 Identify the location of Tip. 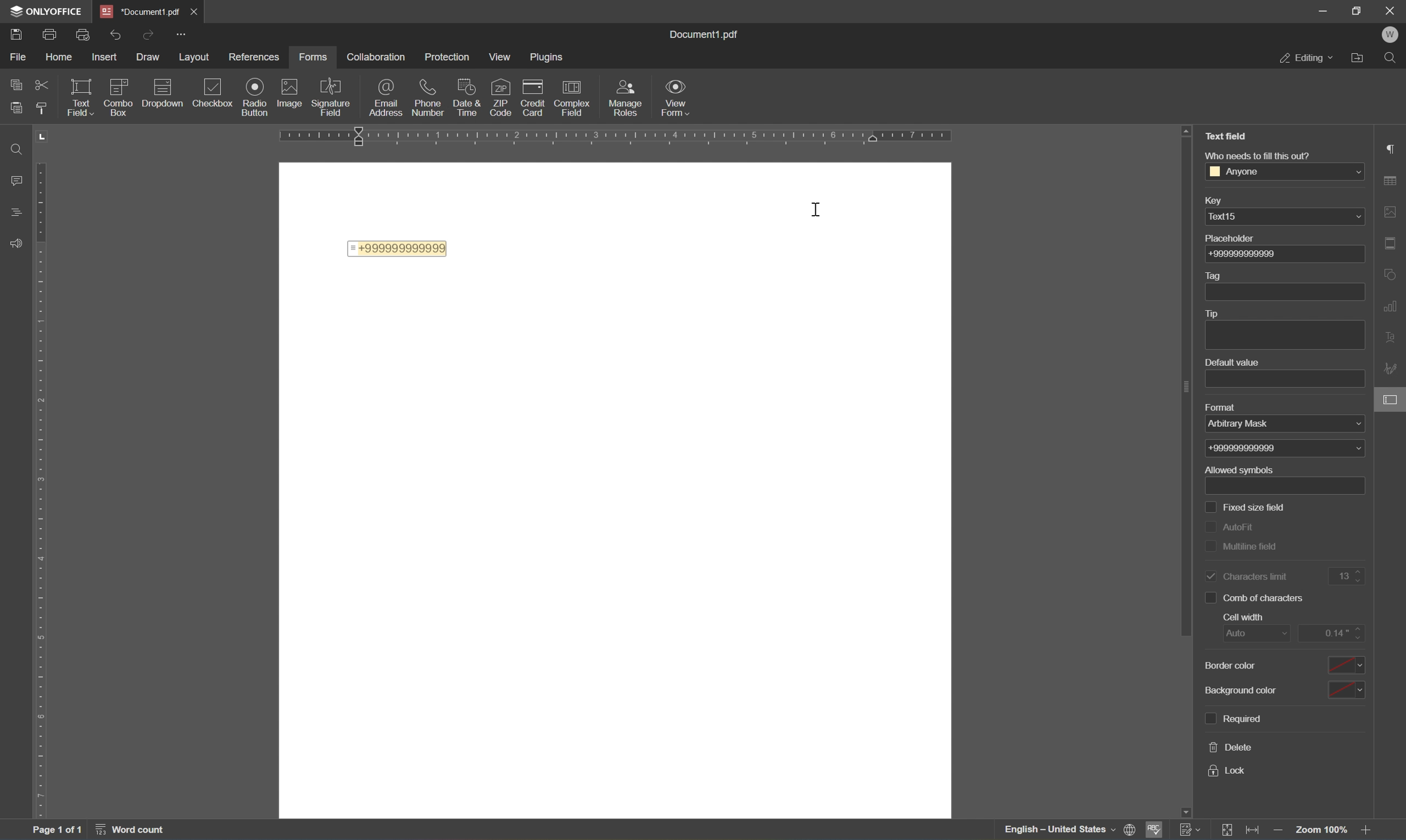
(1213, 314).